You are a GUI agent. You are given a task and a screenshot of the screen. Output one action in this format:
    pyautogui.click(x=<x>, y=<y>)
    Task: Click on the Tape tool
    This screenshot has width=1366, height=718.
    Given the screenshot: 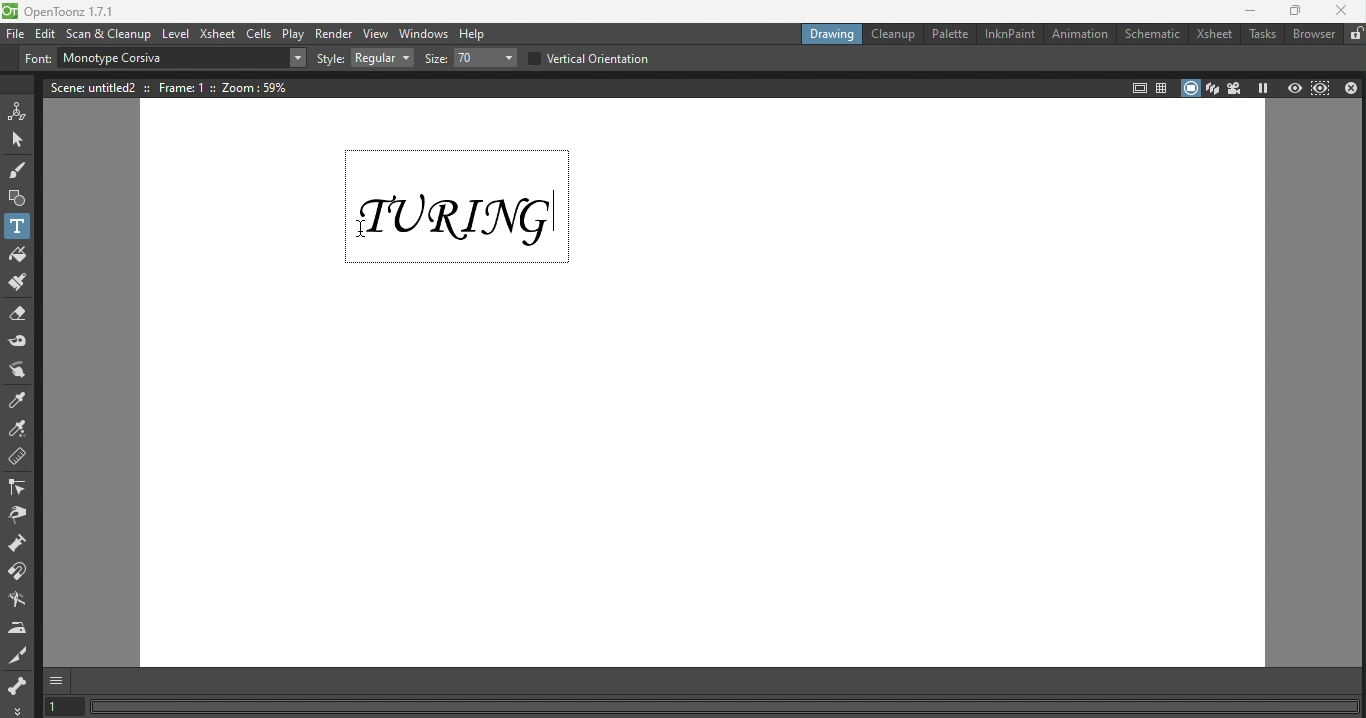 What is the action you would take?
    pyautogui.click(x=20, y=343)
    